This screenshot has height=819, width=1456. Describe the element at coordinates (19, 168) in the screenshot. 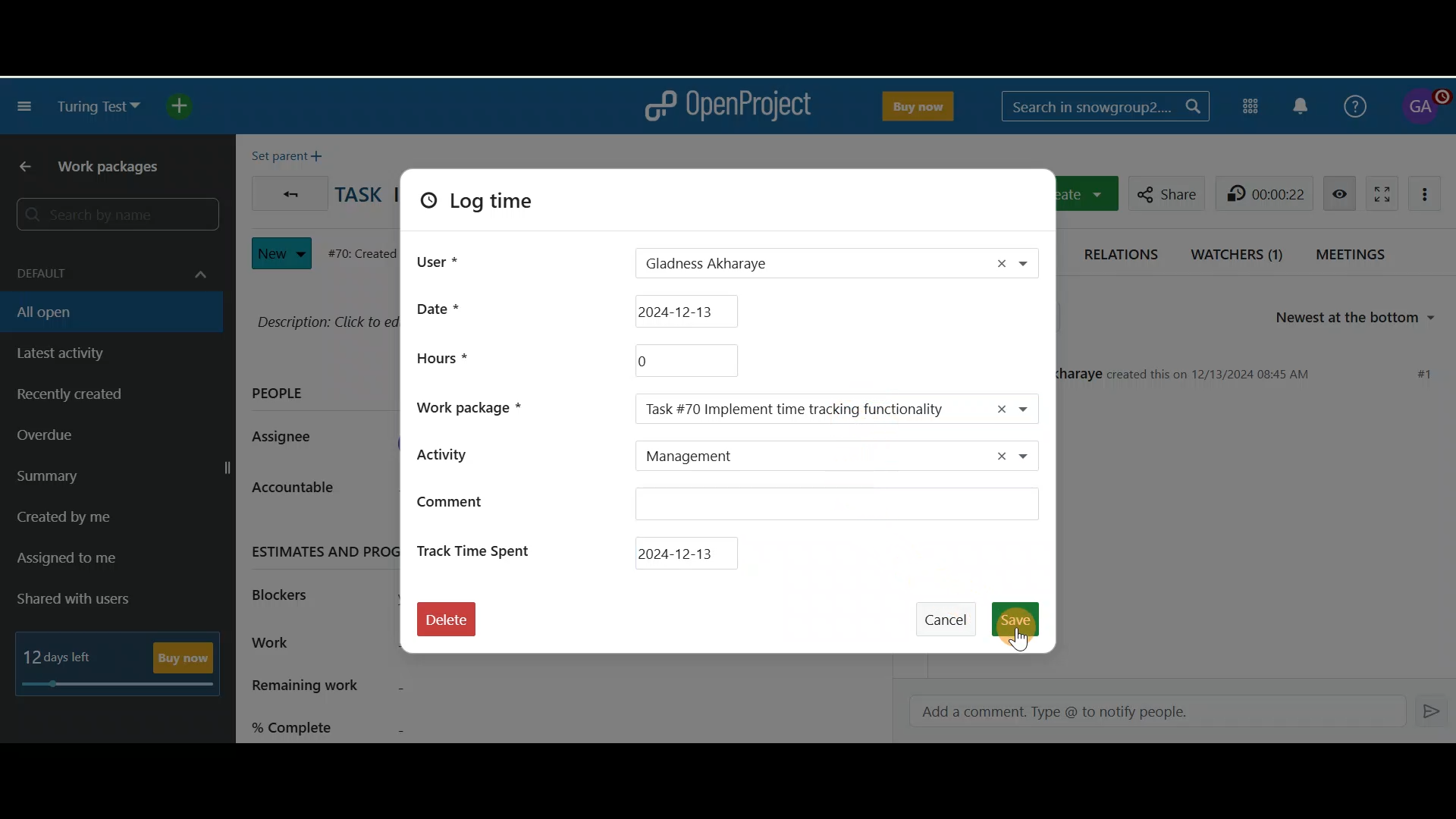

I see `Back` at that location.